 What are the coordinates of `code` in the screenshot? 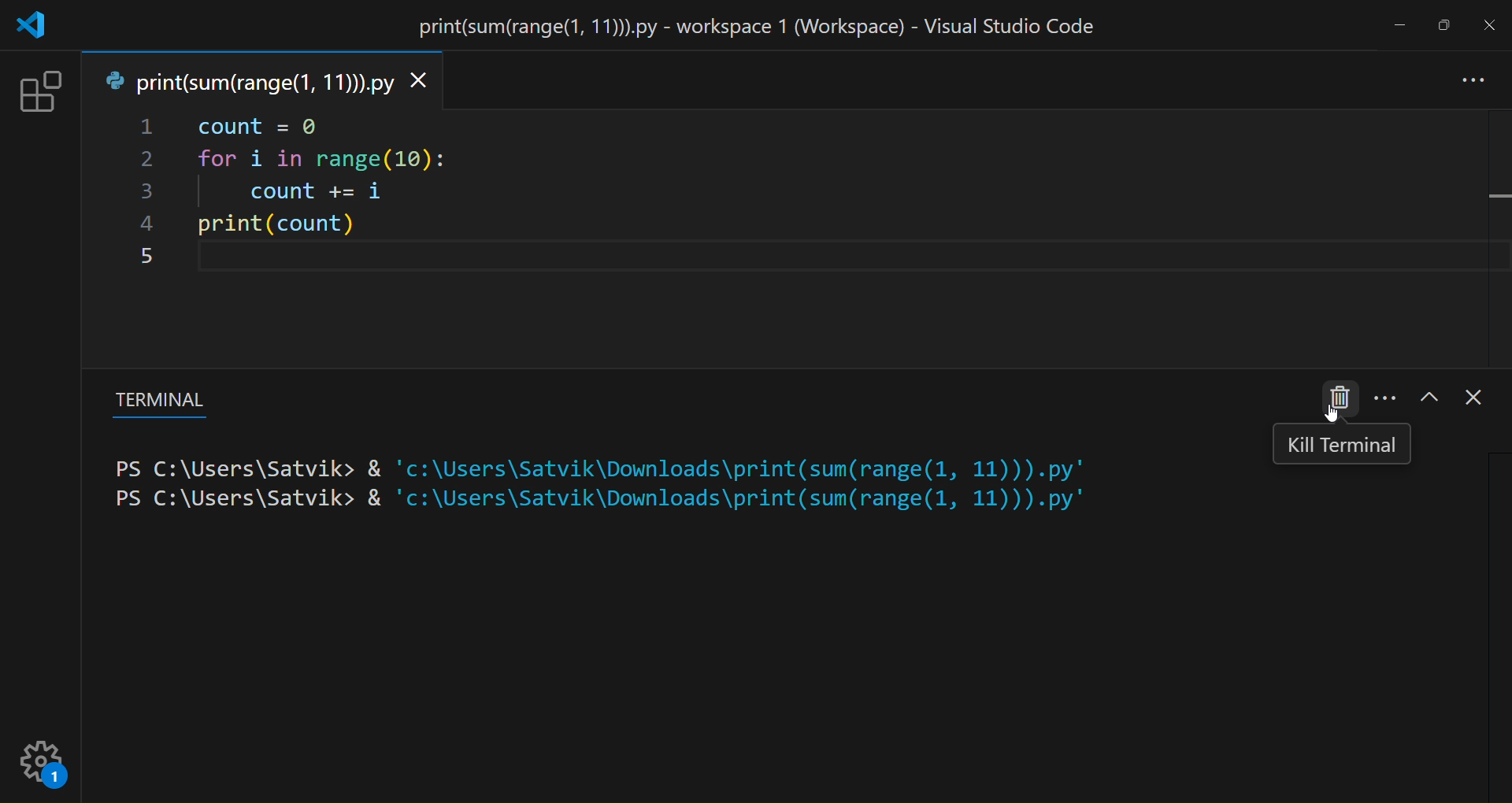 It's located at (368, 200).